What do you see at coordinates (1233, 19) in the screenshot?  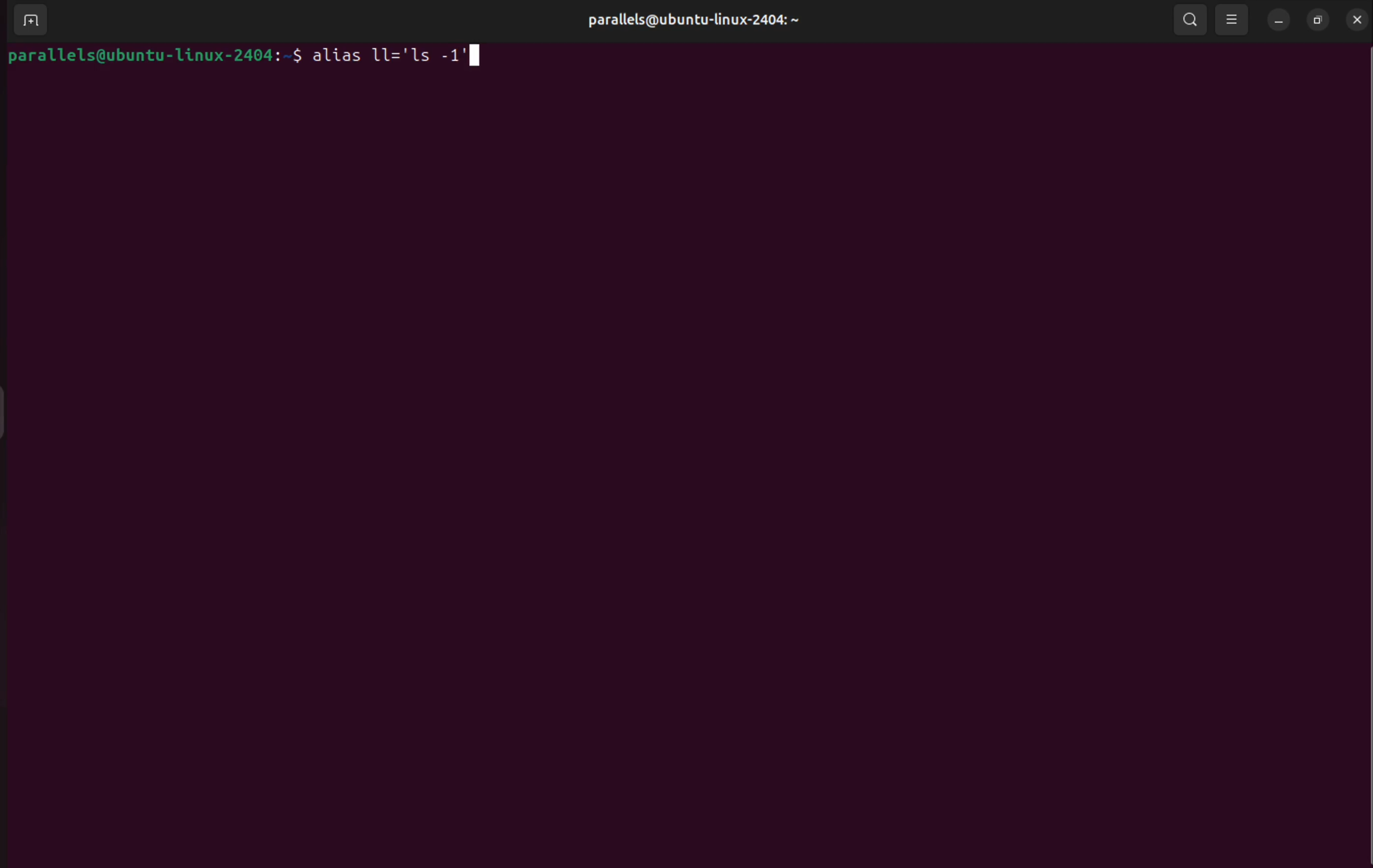 I see `view options` at bounding box center [1233, 19].